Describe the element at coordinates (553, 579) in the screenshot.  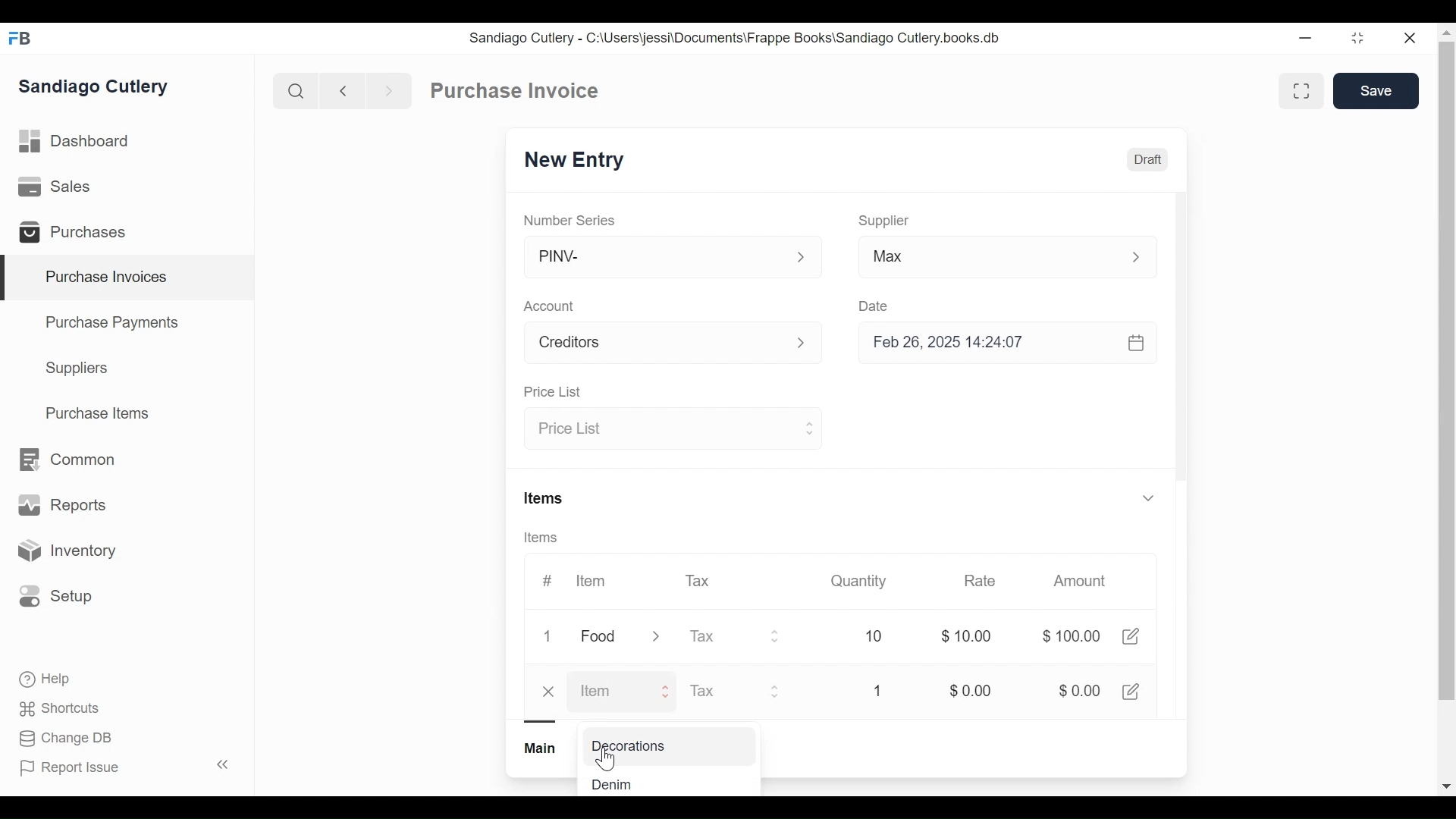
I see `#` at that location.